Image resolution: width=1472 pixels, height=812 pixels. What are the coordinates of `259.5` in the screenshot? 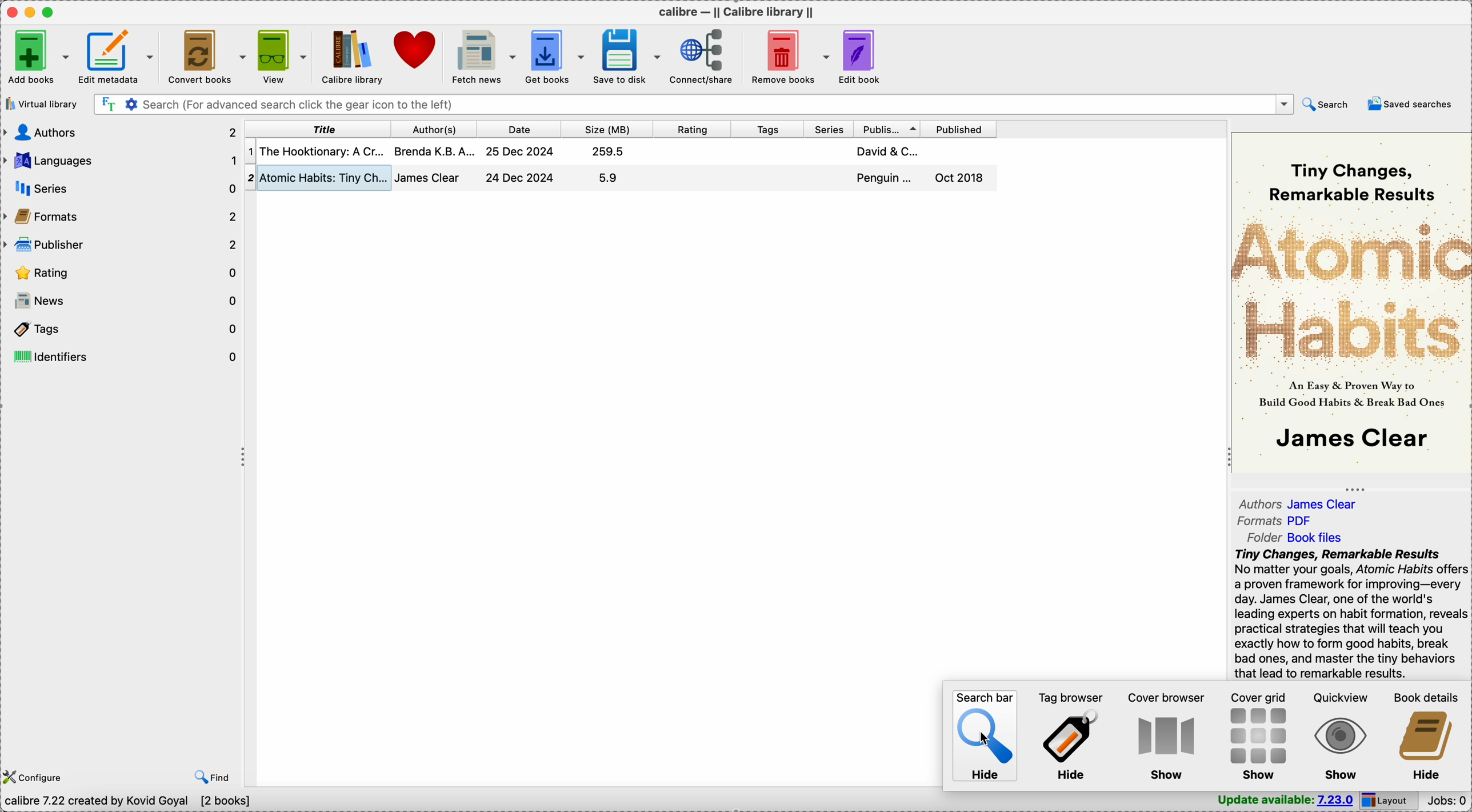 It's located at (609, 151).